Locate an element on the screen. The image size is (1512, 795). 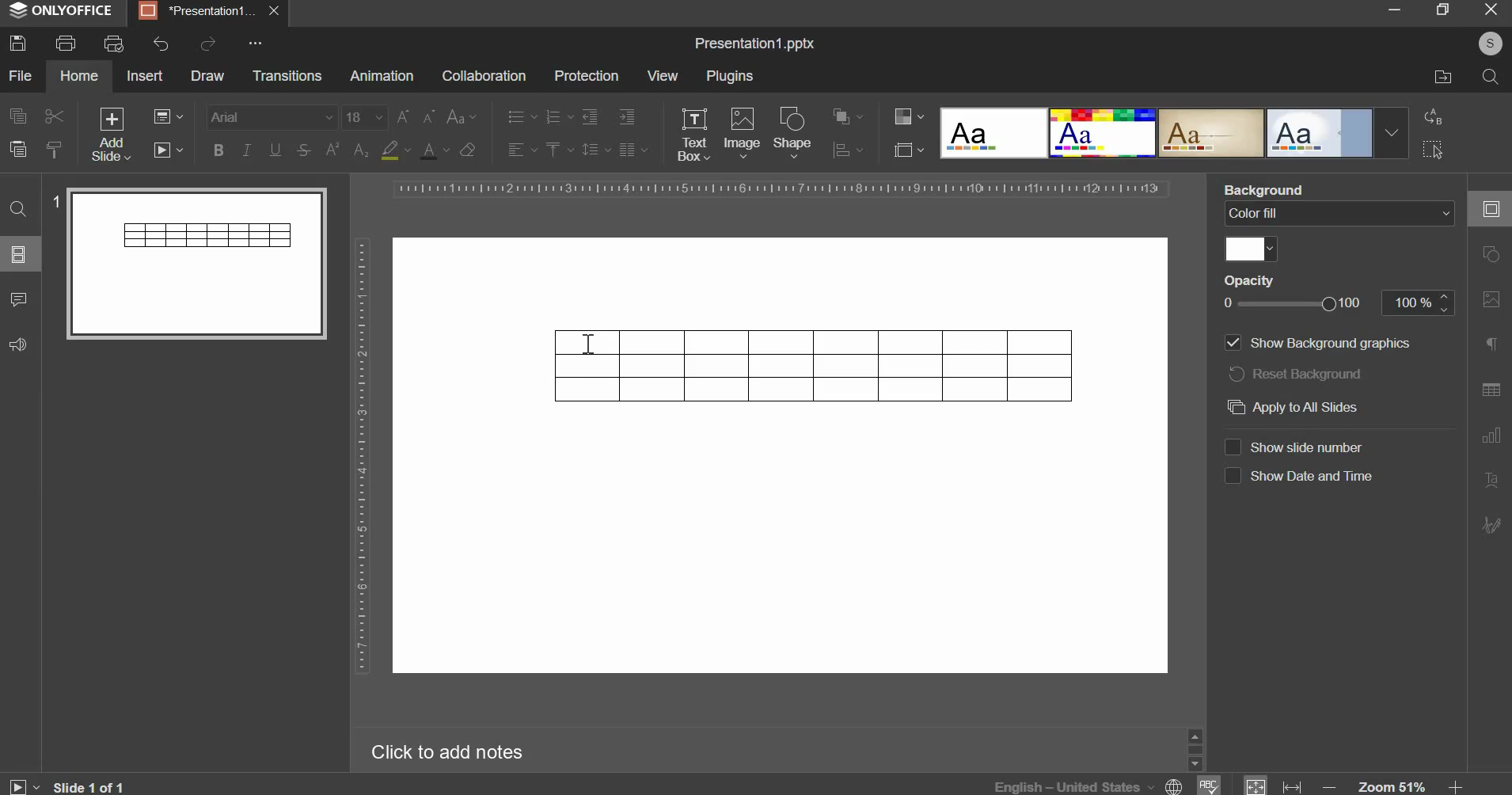
text color is located at coordinates (434, 150).